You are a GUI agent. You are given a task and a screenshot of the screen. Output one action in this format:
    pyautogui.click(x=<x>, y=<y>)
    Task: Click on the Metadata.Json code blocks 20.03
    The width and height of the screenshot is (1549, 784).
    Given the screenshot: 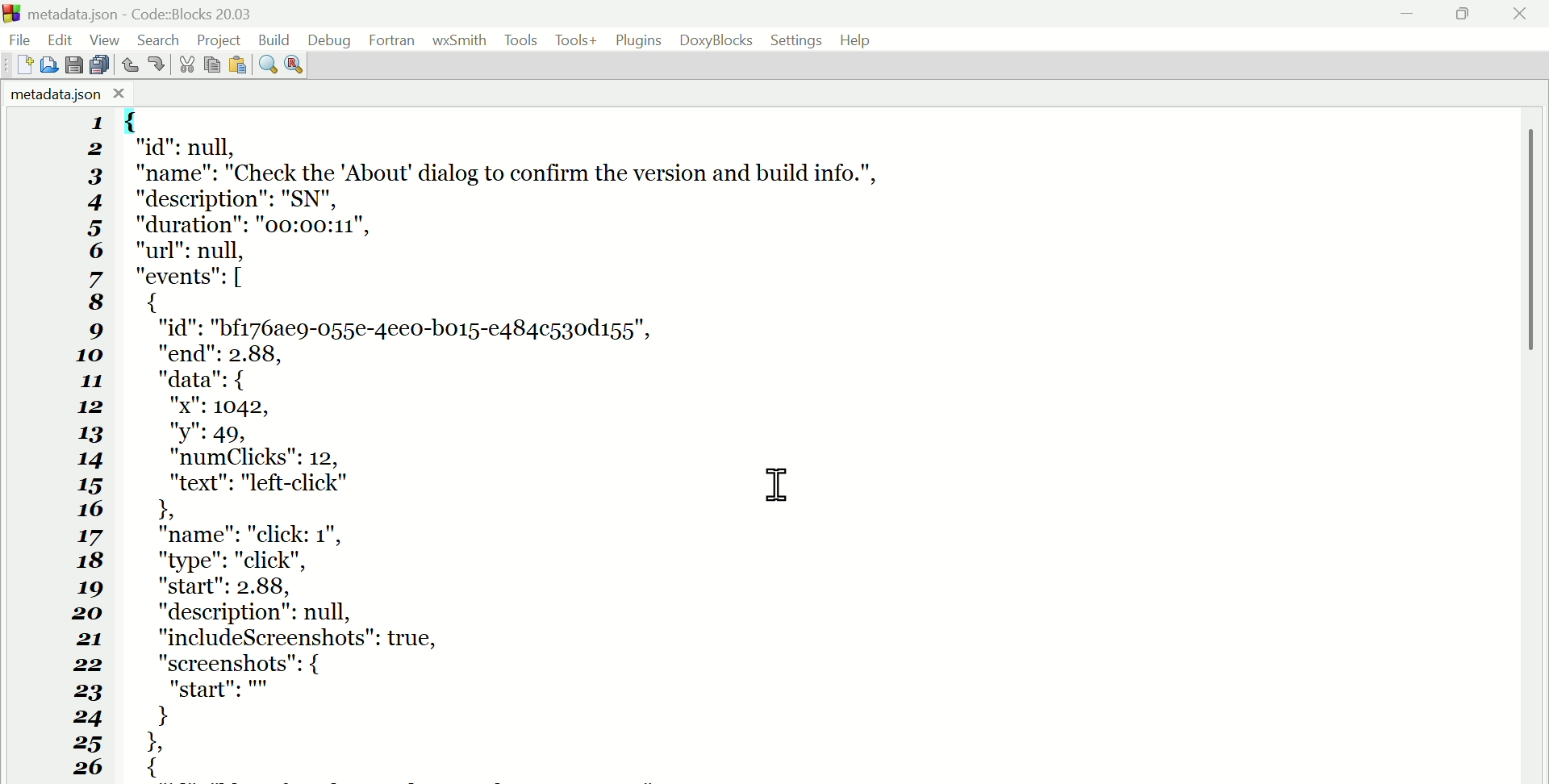 What is the action you would take?
    pyautogui.click(x=136, y=14)
    